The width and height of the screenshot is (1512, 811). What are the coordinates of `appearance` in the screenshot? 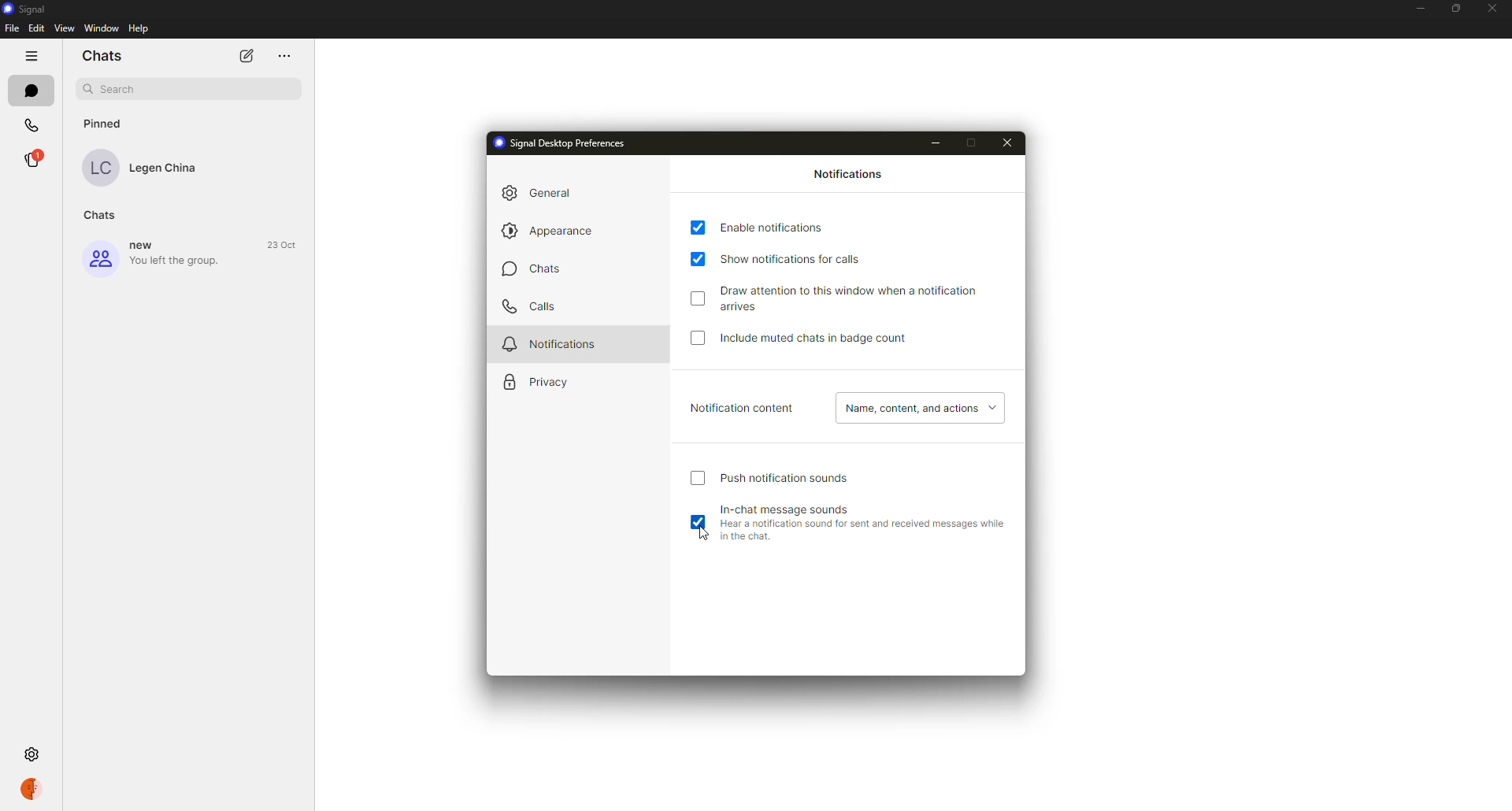 It's located at (551, 231).